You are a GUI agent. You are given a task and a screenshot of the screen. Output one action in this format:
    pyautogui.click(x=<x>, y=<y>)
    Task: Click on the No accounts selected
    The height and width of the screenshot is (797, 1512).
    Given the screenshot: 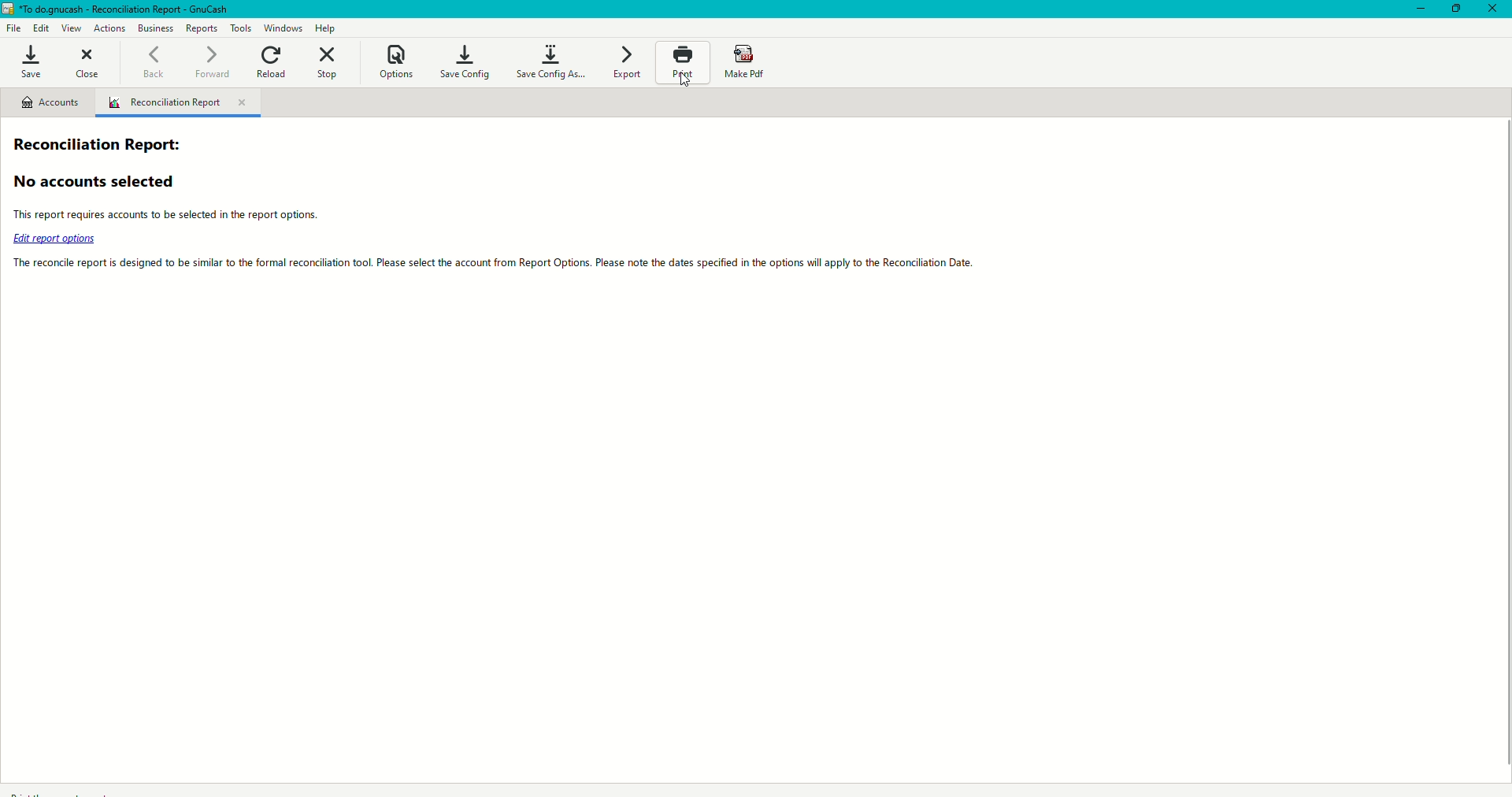 What is the action you would take?
    pyautogui.click(x=102, y=183)
    